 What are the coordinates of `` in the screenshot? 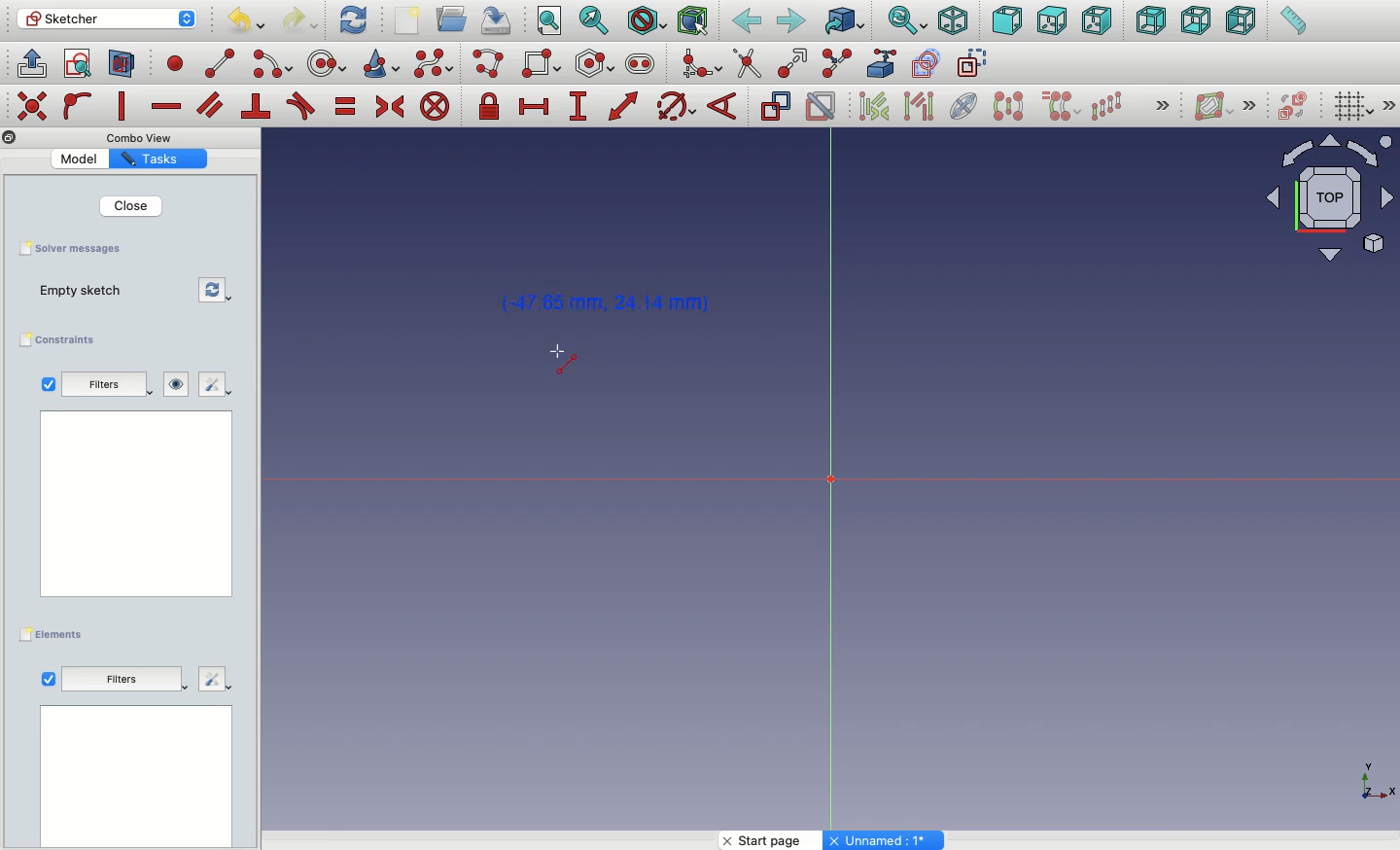 It's located at (123, 680).